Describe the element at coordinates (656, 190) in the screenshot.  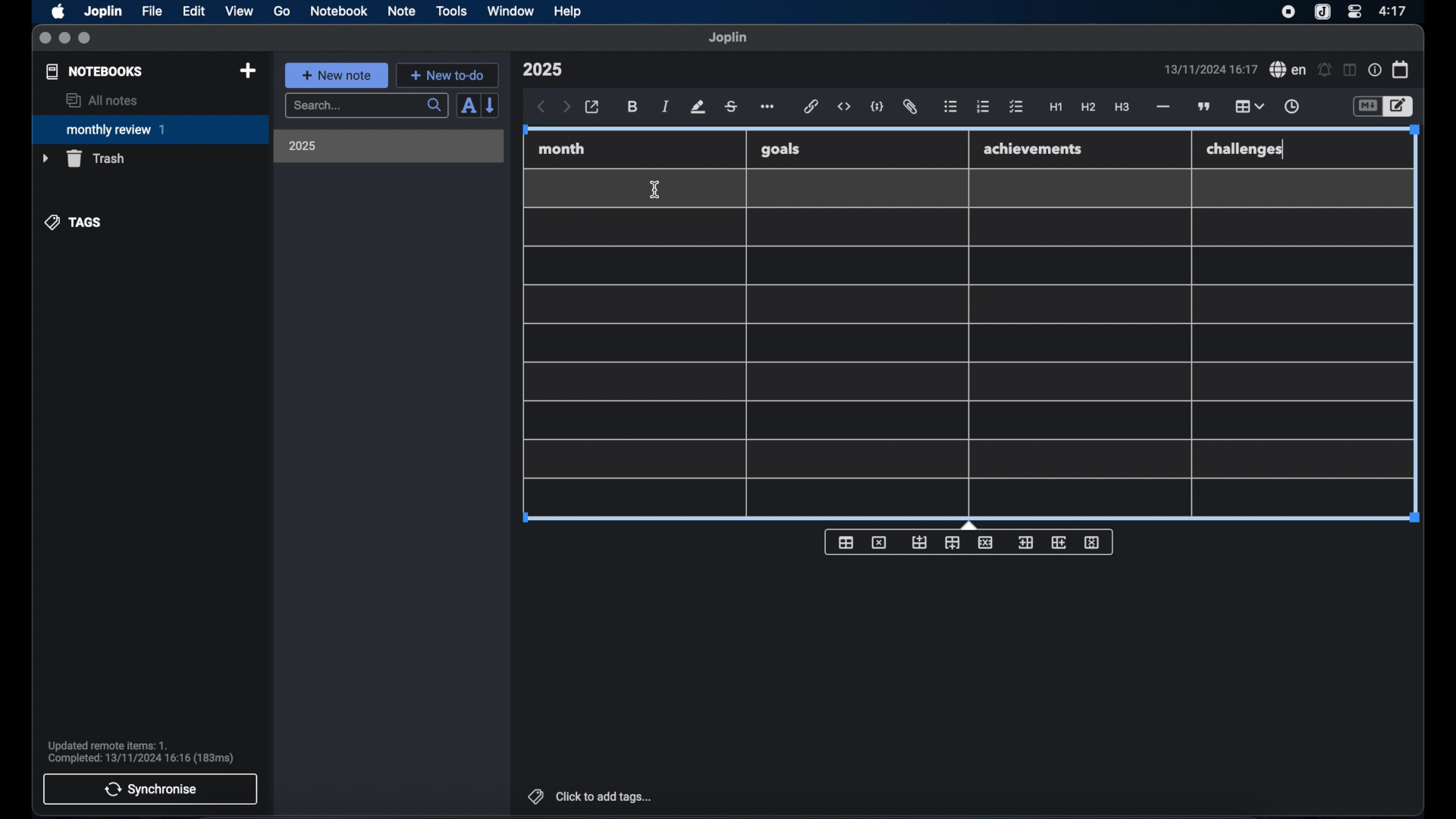
I see `I beam cursor` at that location.